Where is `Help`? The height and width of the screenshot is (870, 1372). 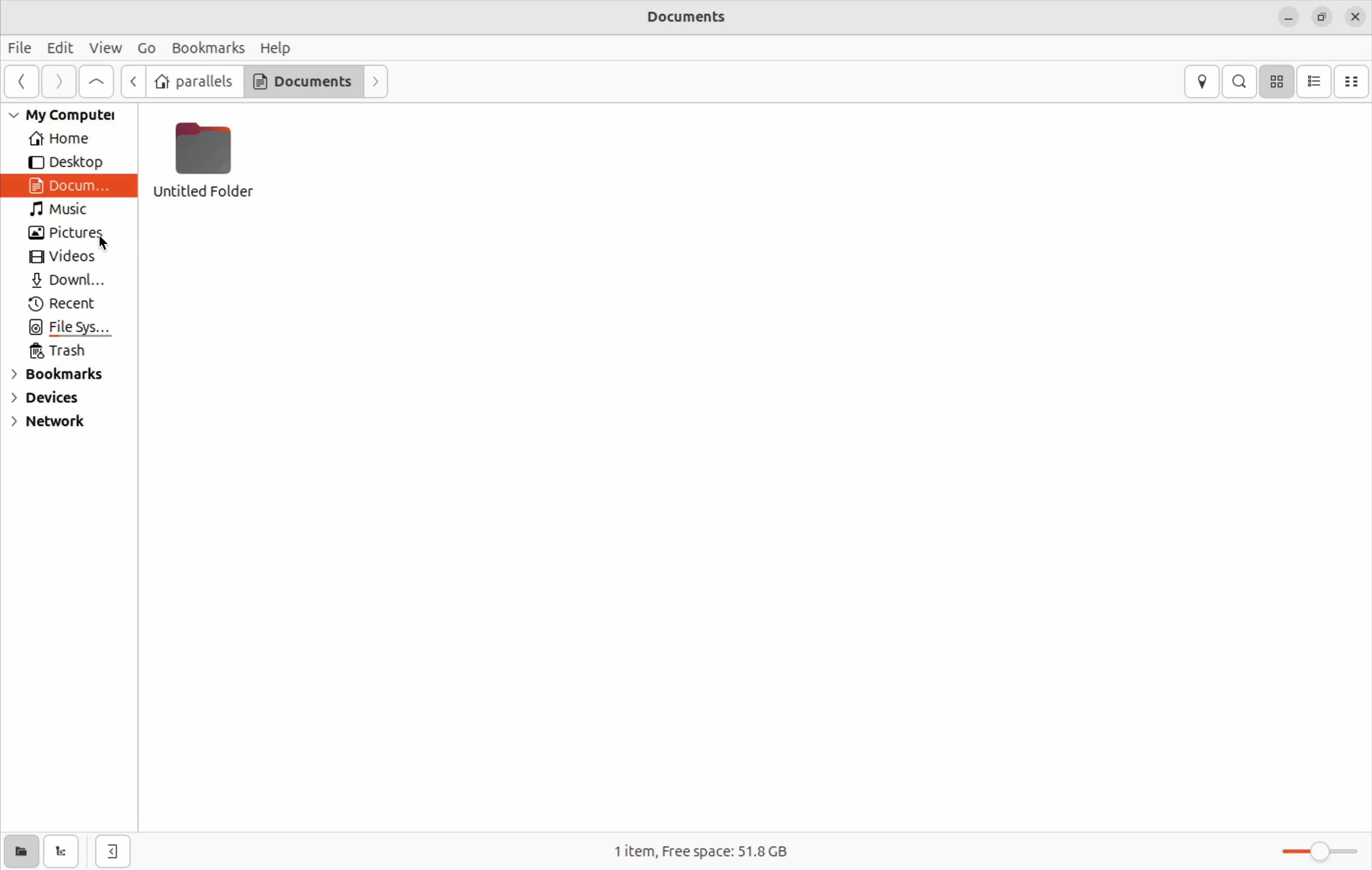 Help is located at coordinates (276, 48).